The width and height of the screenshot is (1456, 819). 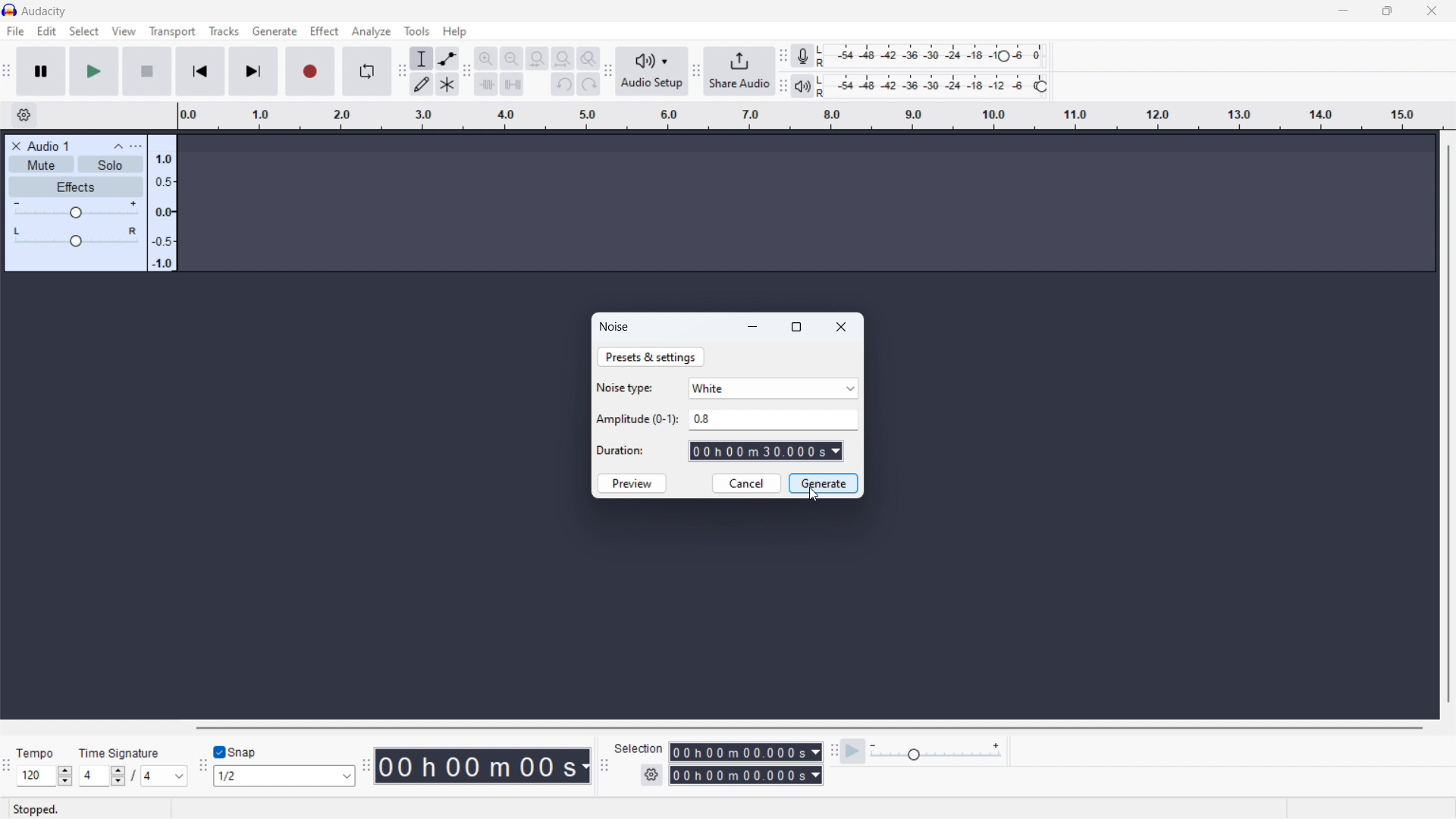 What do you see at coordinates (76, 237) in the screenshot?
I see `pan: center` at bounding box center [76, 237].